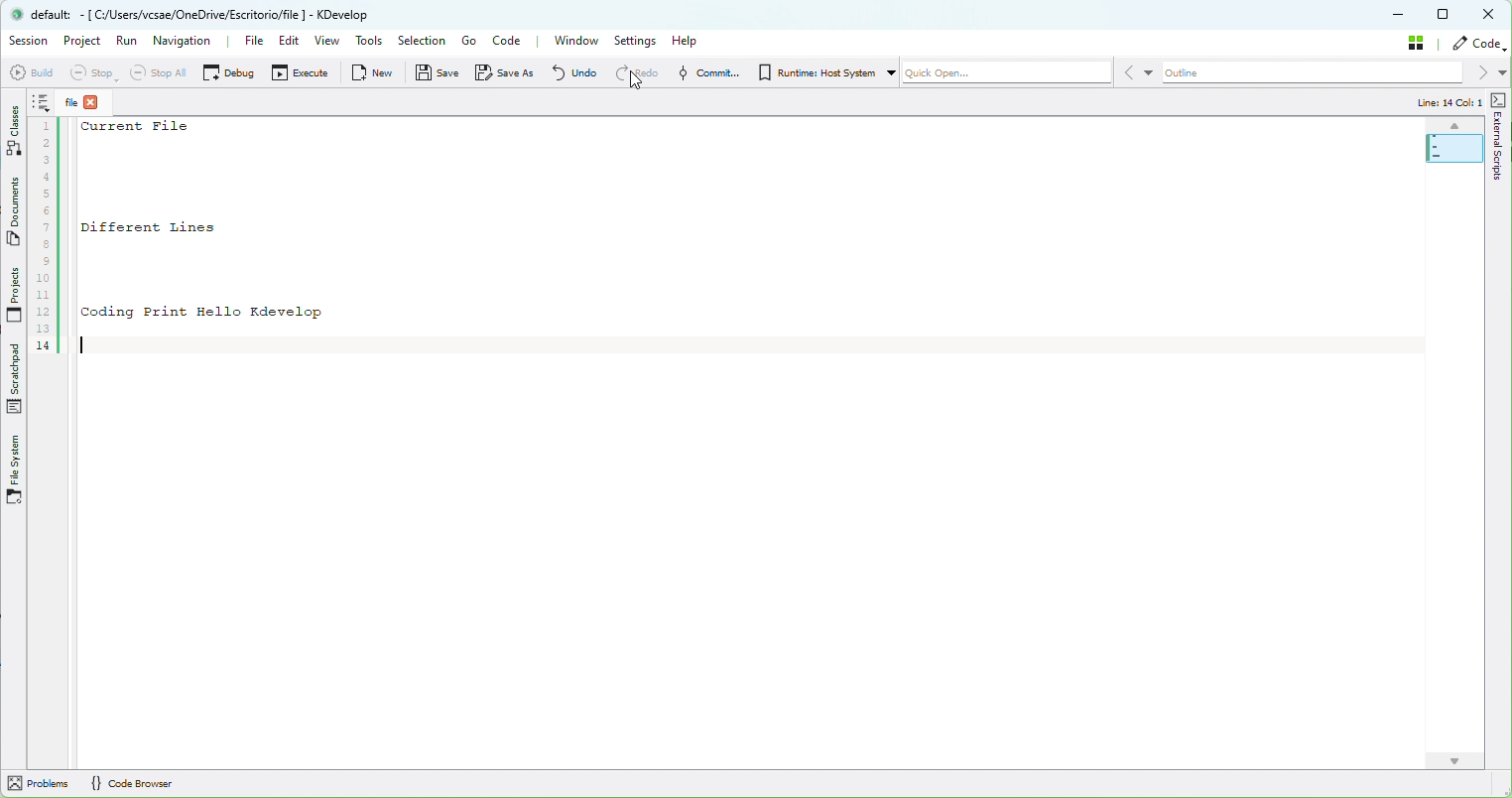 The image size is (1512, 798). Describe the element at coordinates (641, 85) in the screenshot. I see `cursor` at that location.